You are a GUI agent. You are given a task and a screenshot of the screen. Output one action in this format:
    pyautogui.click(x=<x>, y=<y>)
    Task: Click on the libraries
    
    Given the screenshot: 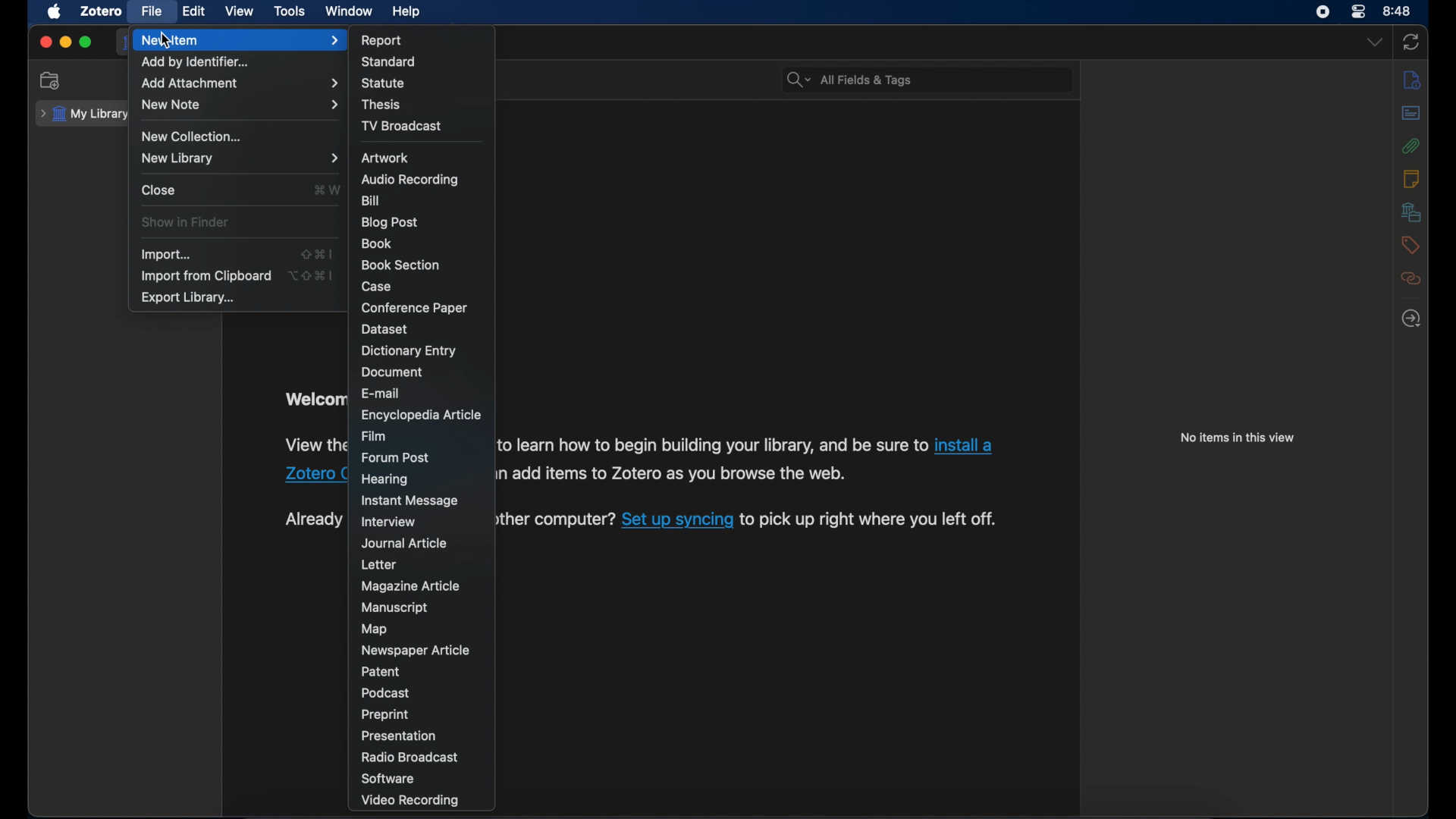 What is the action you would take?
    pyautogui.click(x=1411, y=212)
    